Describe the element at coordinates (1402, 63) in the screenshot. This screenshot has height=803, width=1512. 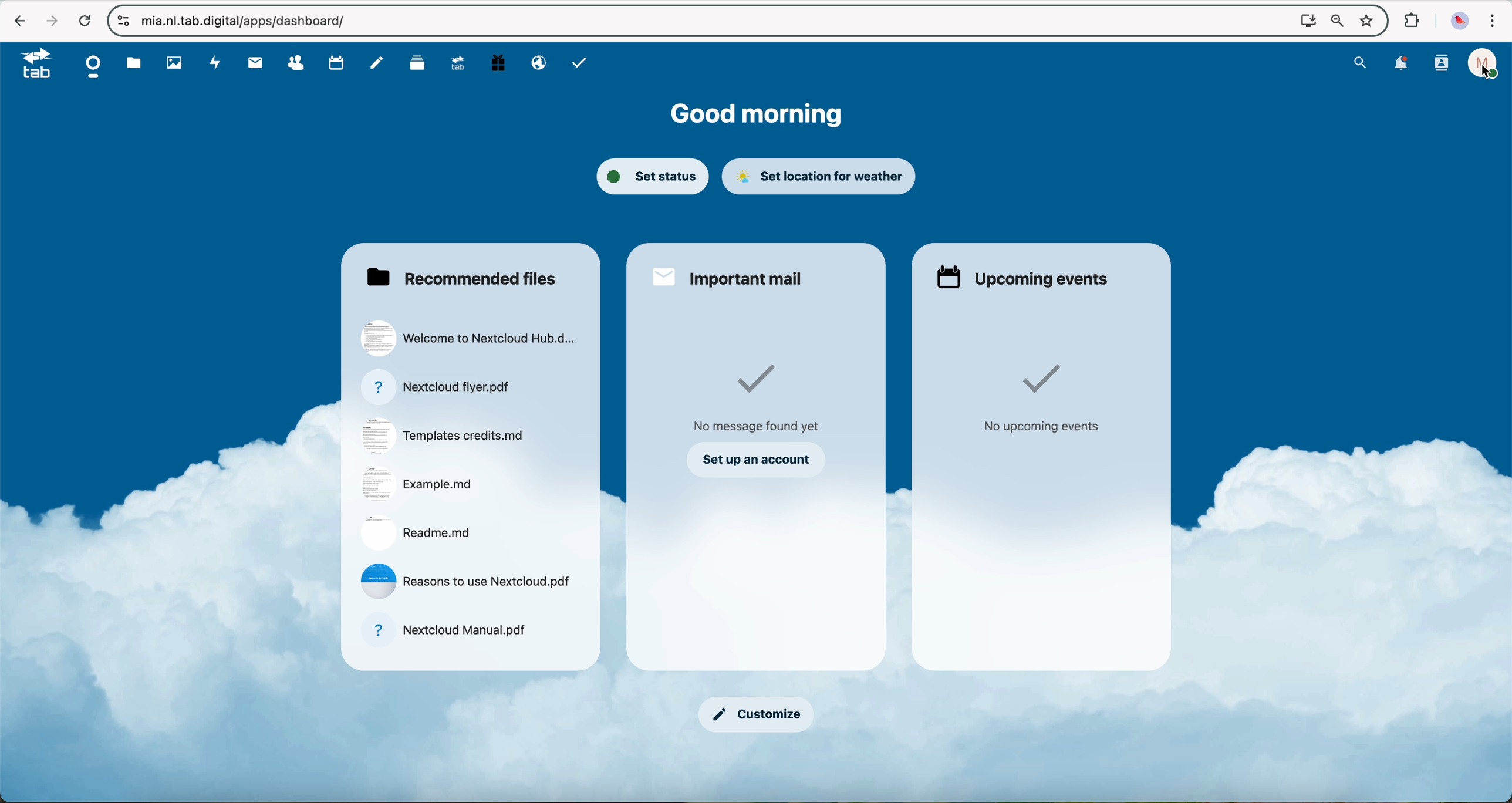
I see `notifications` at that location.